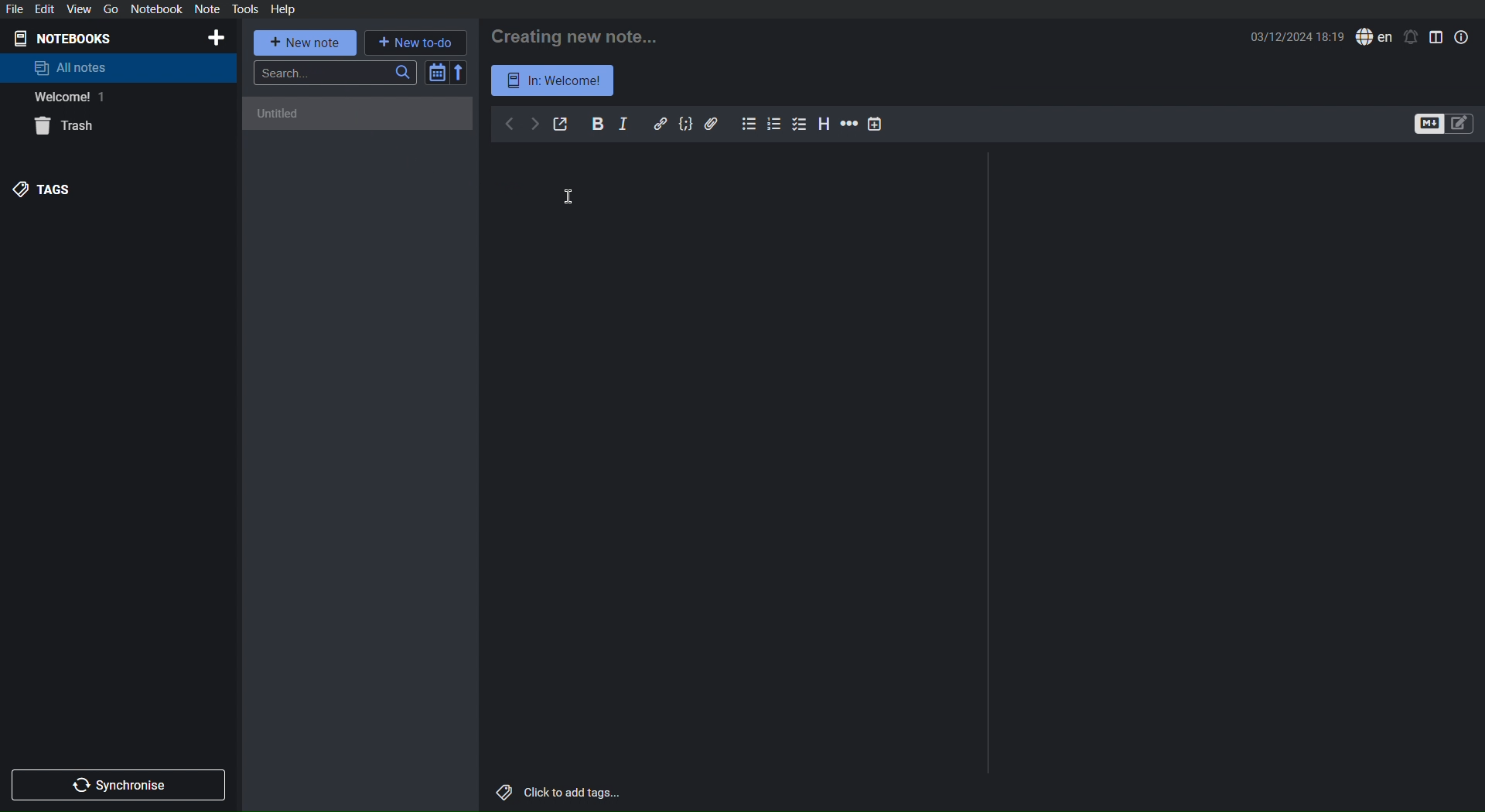 The height and width of the screenshot is (812, 1485). I want to click on Heading, so click(824, 124).